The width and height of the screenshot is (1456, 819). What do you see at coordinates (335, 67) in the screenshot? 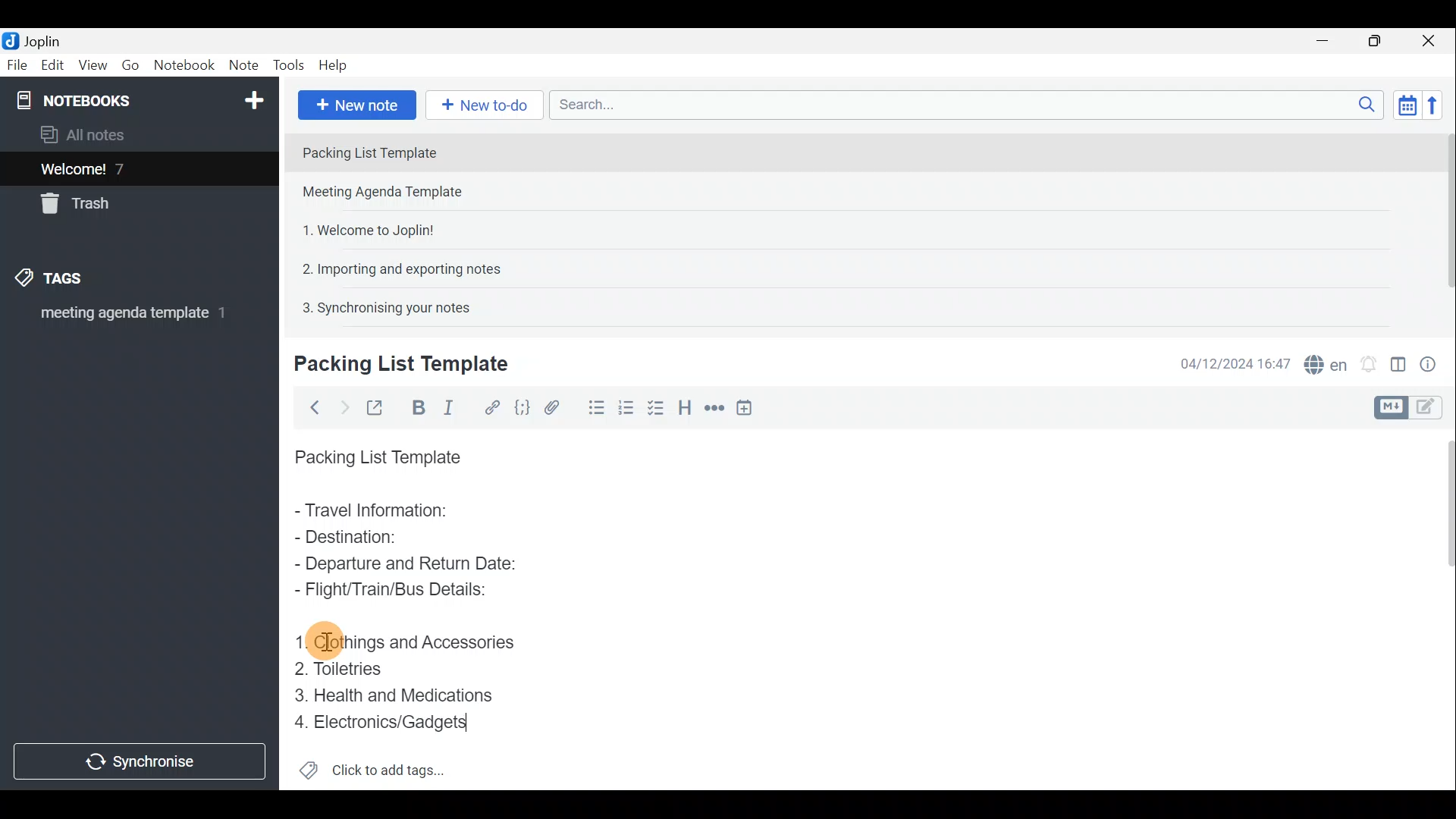
I see `Help` at bounding box center [335, 67].